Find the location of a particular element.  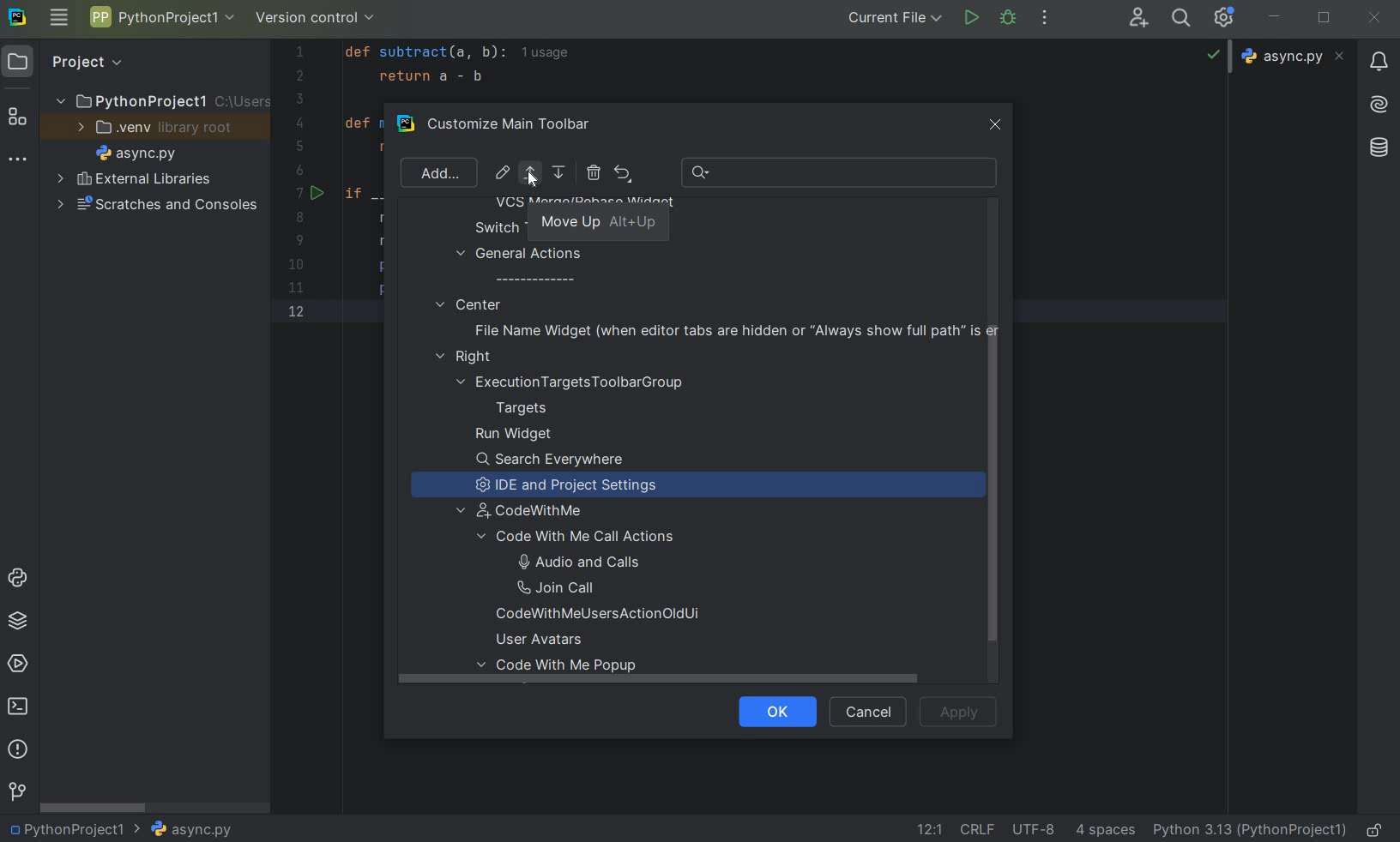

center is located at coordinates (468, 304).